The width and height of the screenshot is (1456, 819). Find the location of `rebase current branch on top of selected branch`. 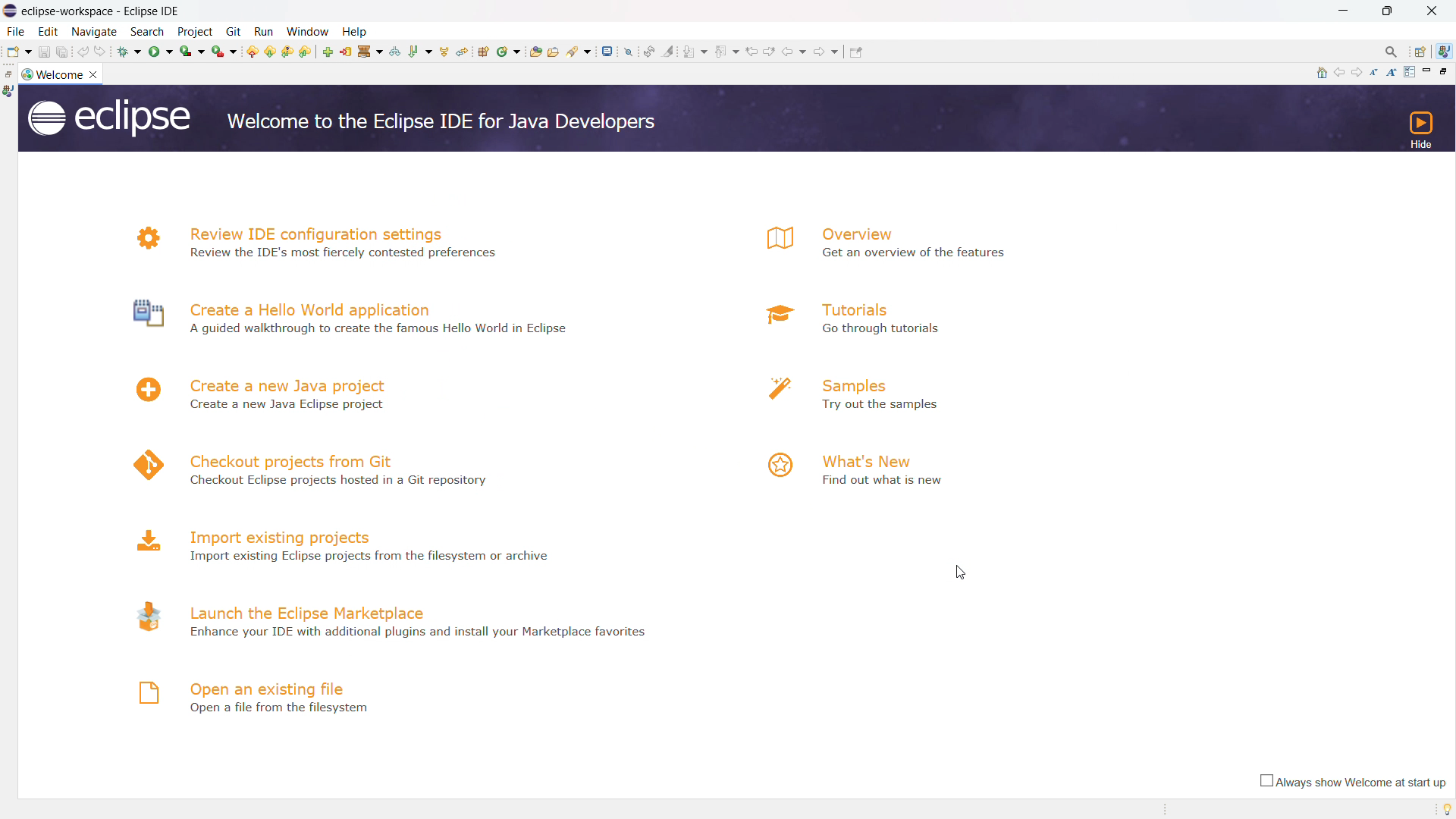

rebase current branch on top of selected branch is located at coordinates (419, 51).